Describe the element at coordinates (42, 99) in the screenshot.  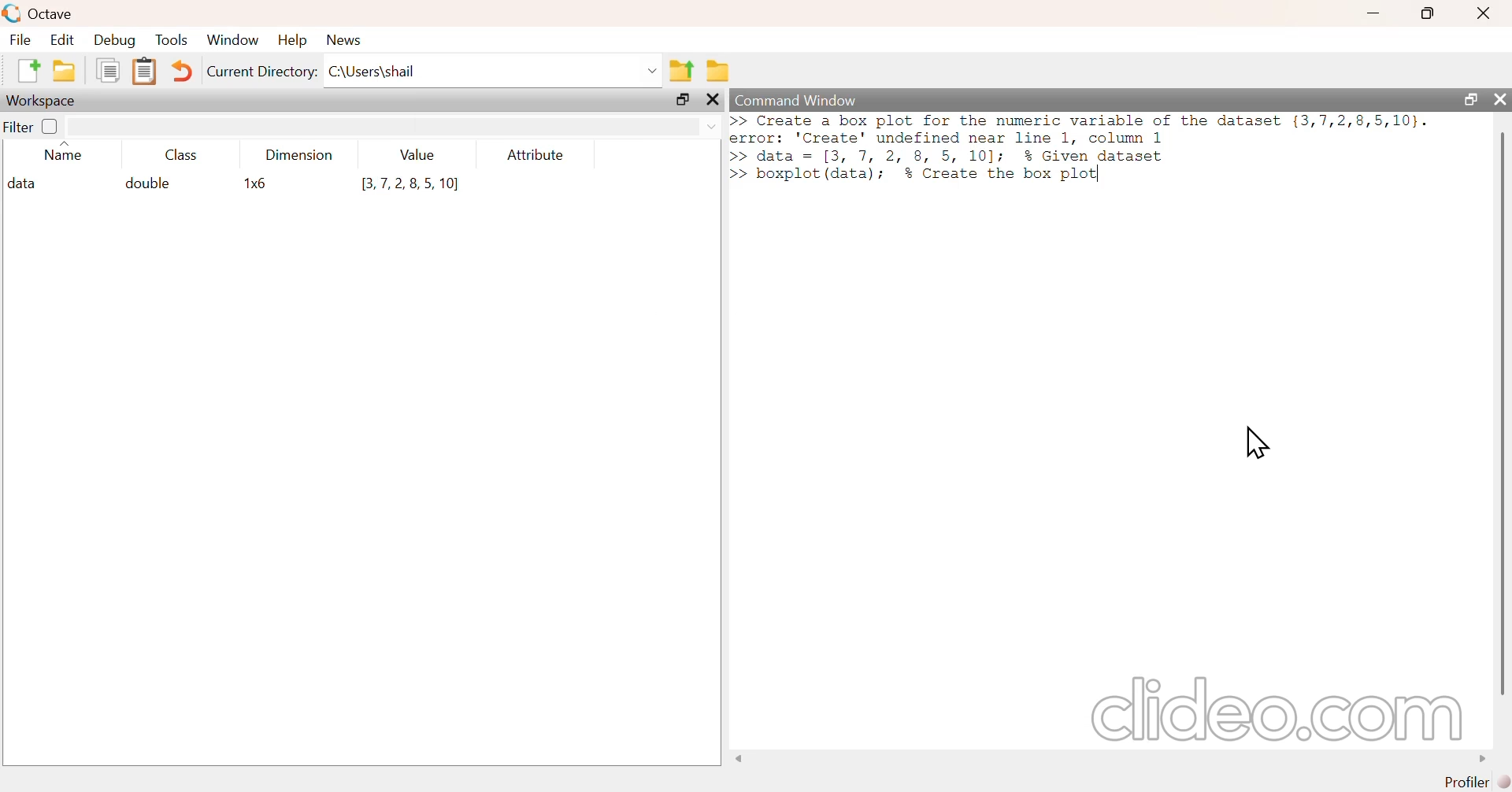
I see `workspace` at that location.